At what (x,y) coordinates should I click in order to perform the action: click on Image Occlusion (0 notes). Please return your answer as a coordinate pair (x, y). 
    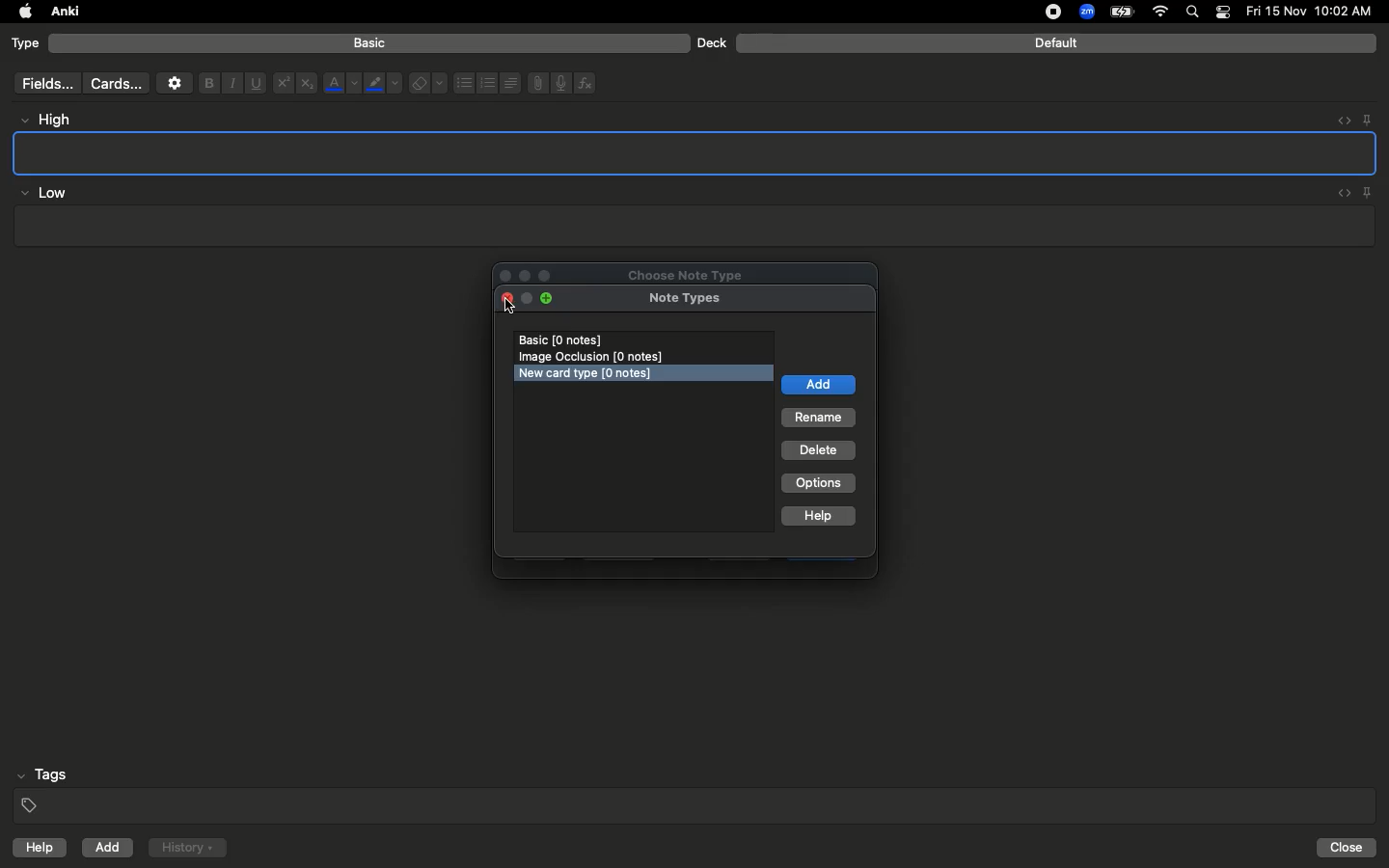
    Looking at the image, I should click on (596, 356).